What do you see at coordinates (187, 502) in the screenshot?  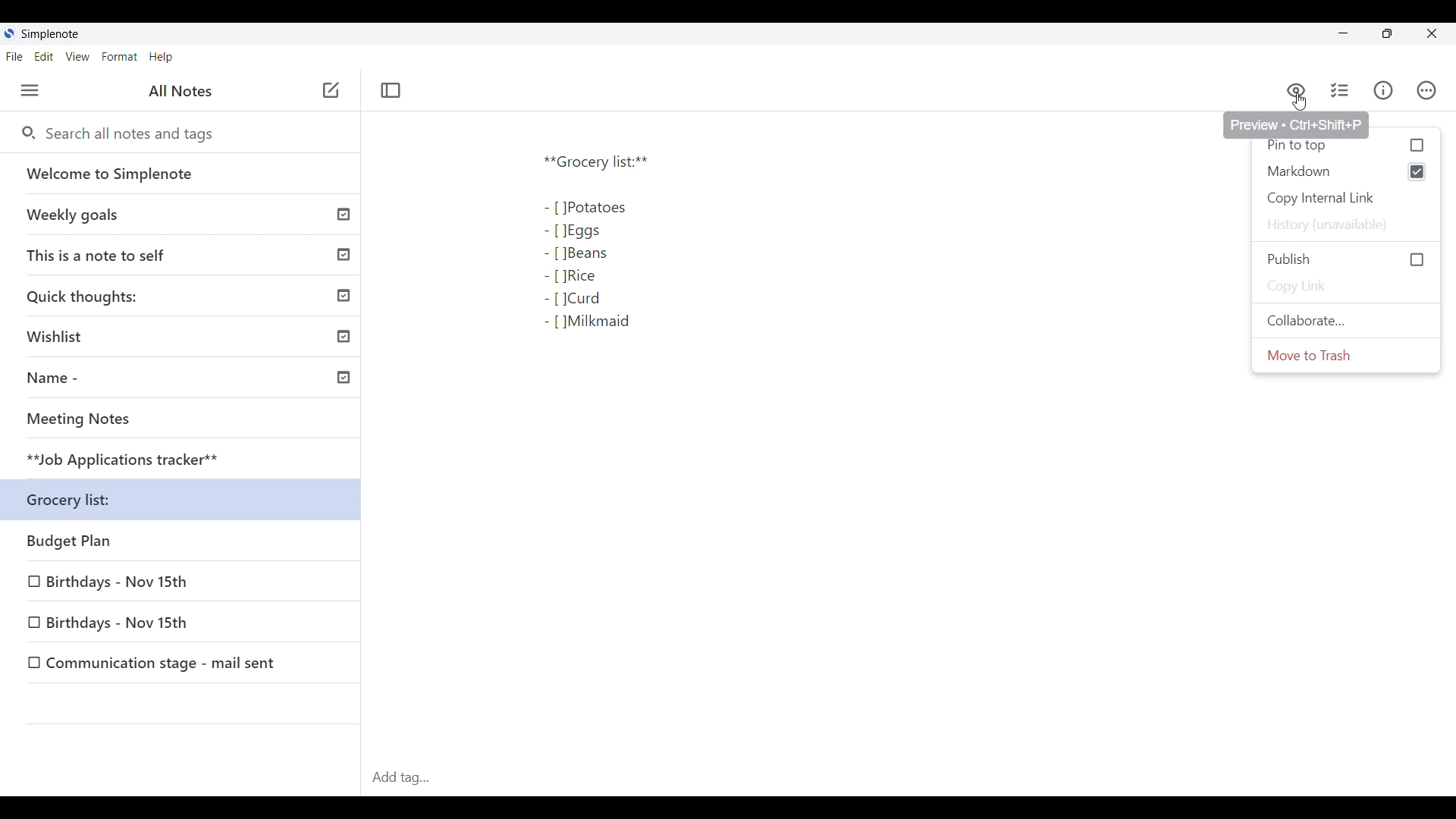 I see `**Grocery list:**` at bounding box center [187, 502].